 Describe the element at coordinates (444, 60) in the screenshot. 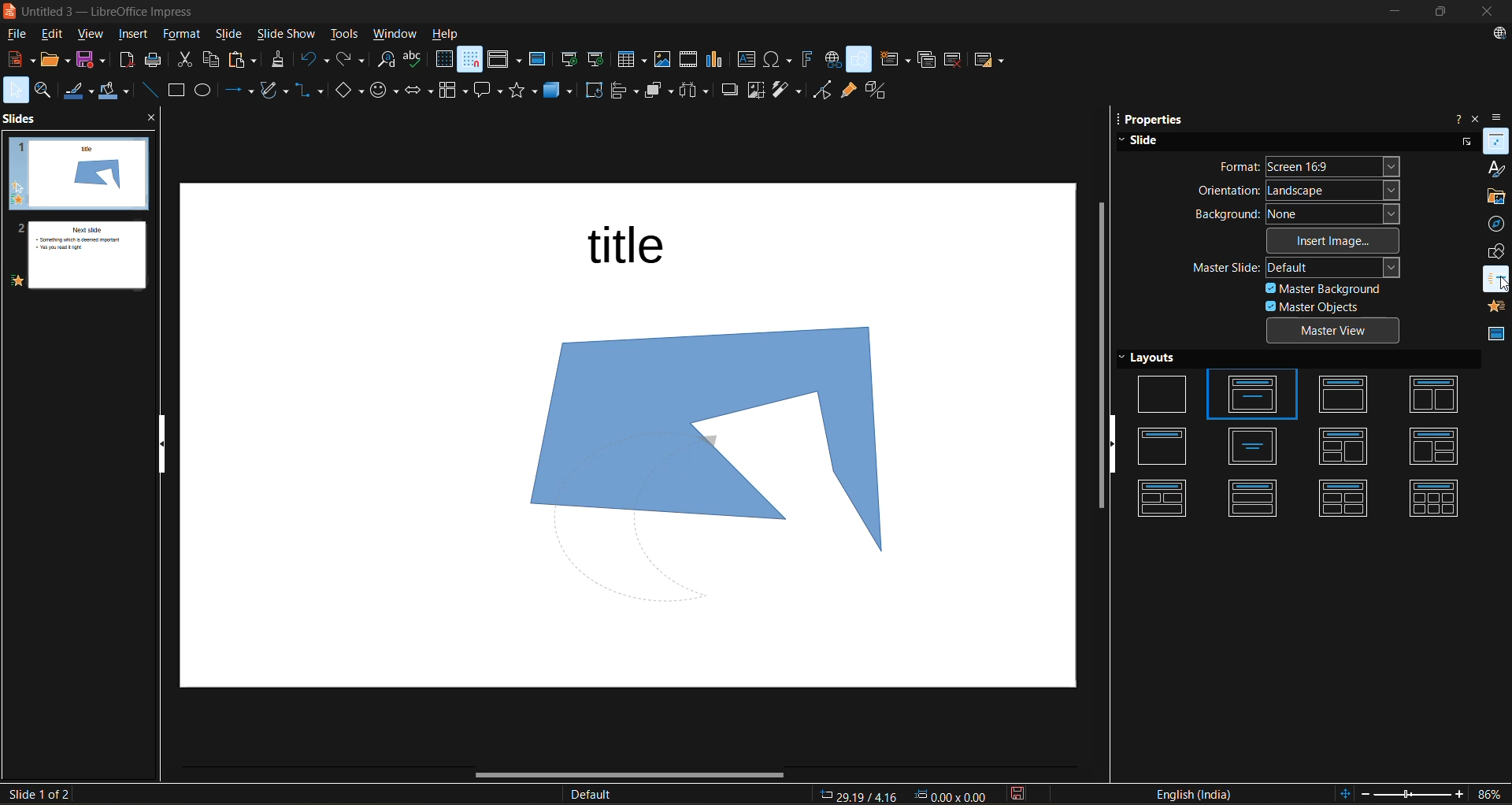

I see `display grid` at that location.